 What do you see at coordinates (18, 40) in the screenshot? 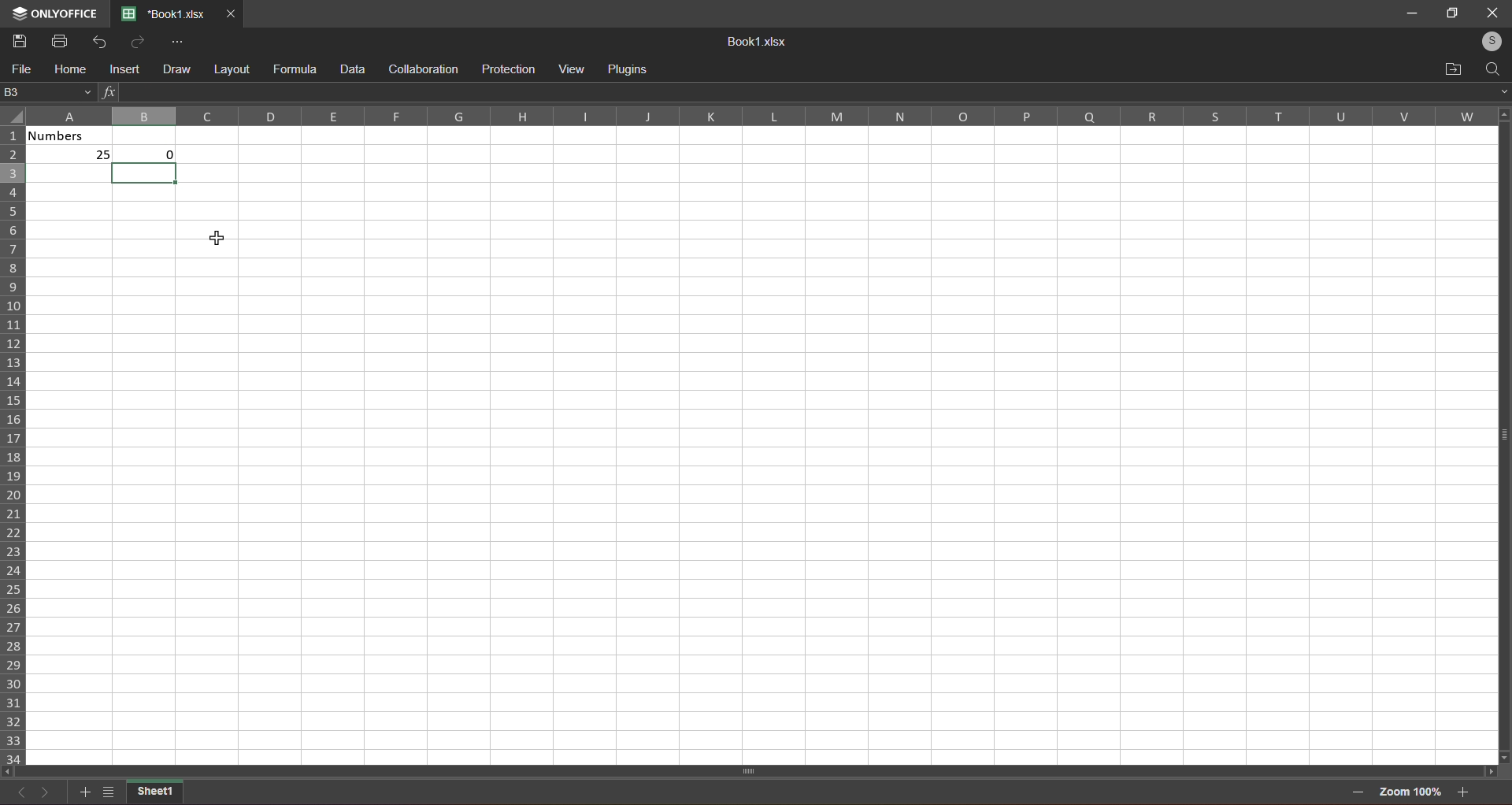
I see `save` at bounding box center [18, 40].